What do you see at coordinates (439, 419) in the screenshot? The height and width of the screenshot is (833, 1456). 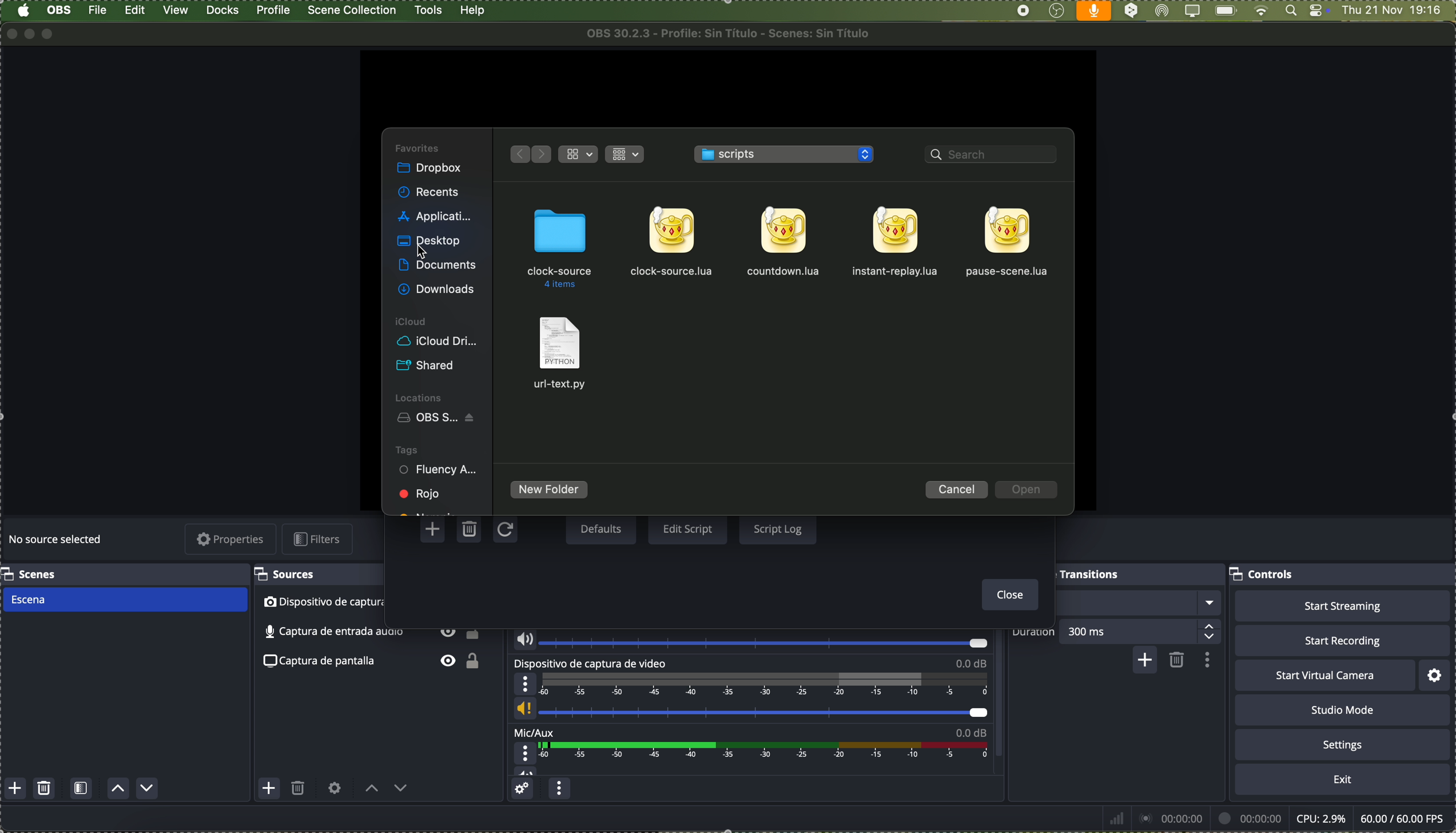 I see `OBS Studio` at bounding box center [439, 419].